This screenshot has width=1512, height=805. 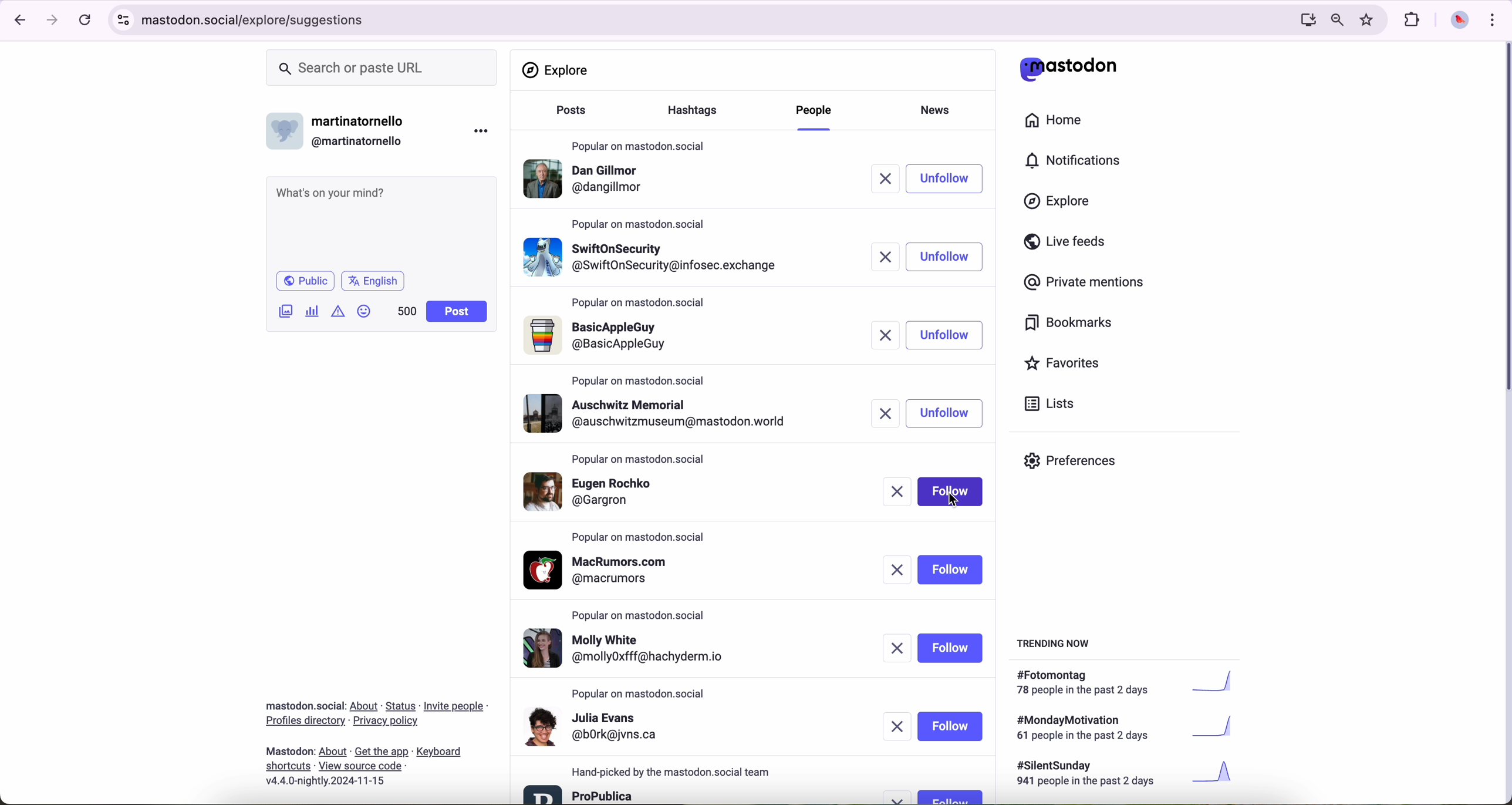 What do you see at coordinates (946, 335) in the screenshot?
I see `unfollow` at bounding box center [946, 335].